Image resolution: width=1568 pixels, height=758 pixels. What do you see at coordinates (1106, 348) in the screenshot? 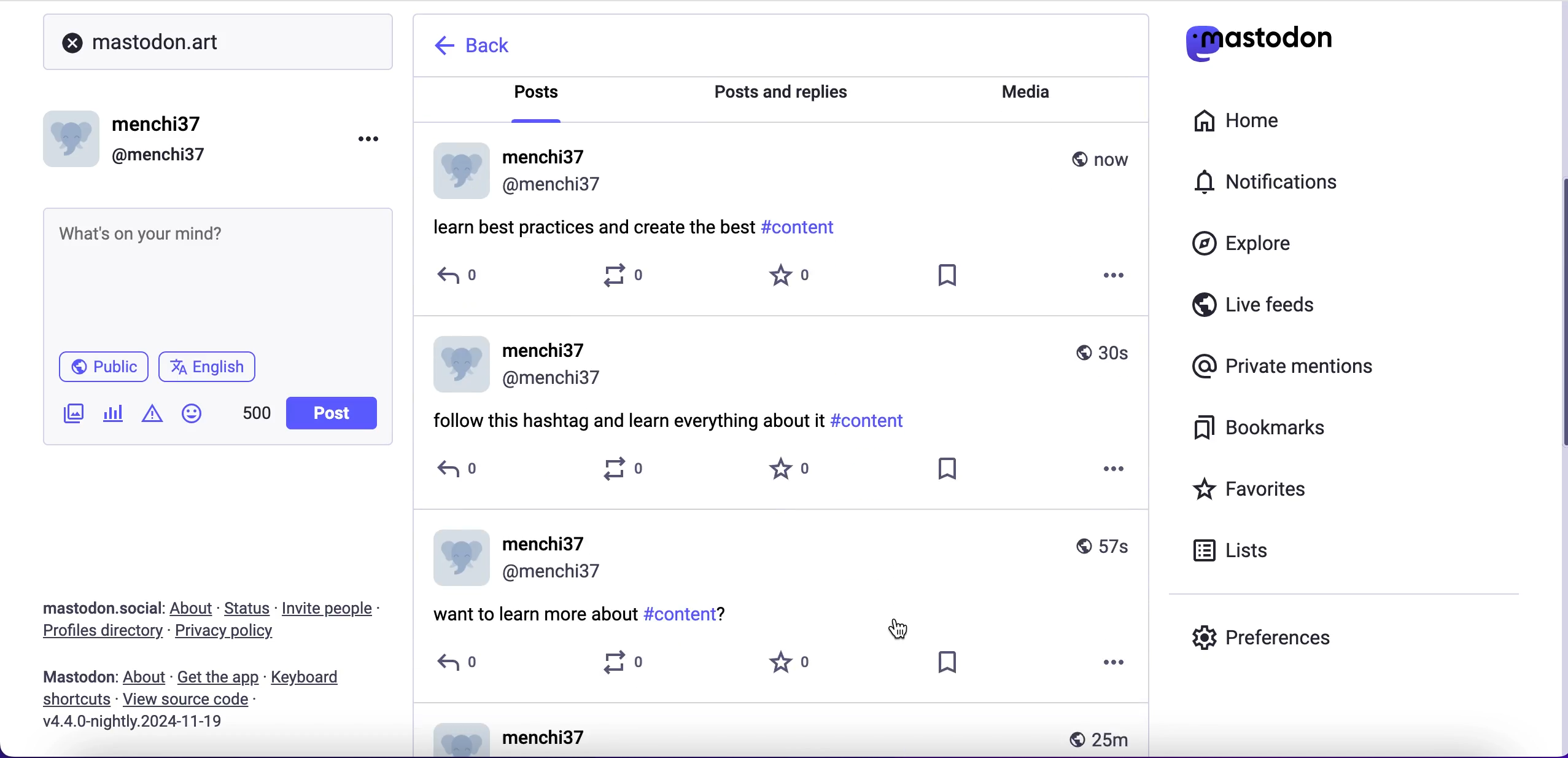
I see `30s ago` at bounding box center [1106, 348].